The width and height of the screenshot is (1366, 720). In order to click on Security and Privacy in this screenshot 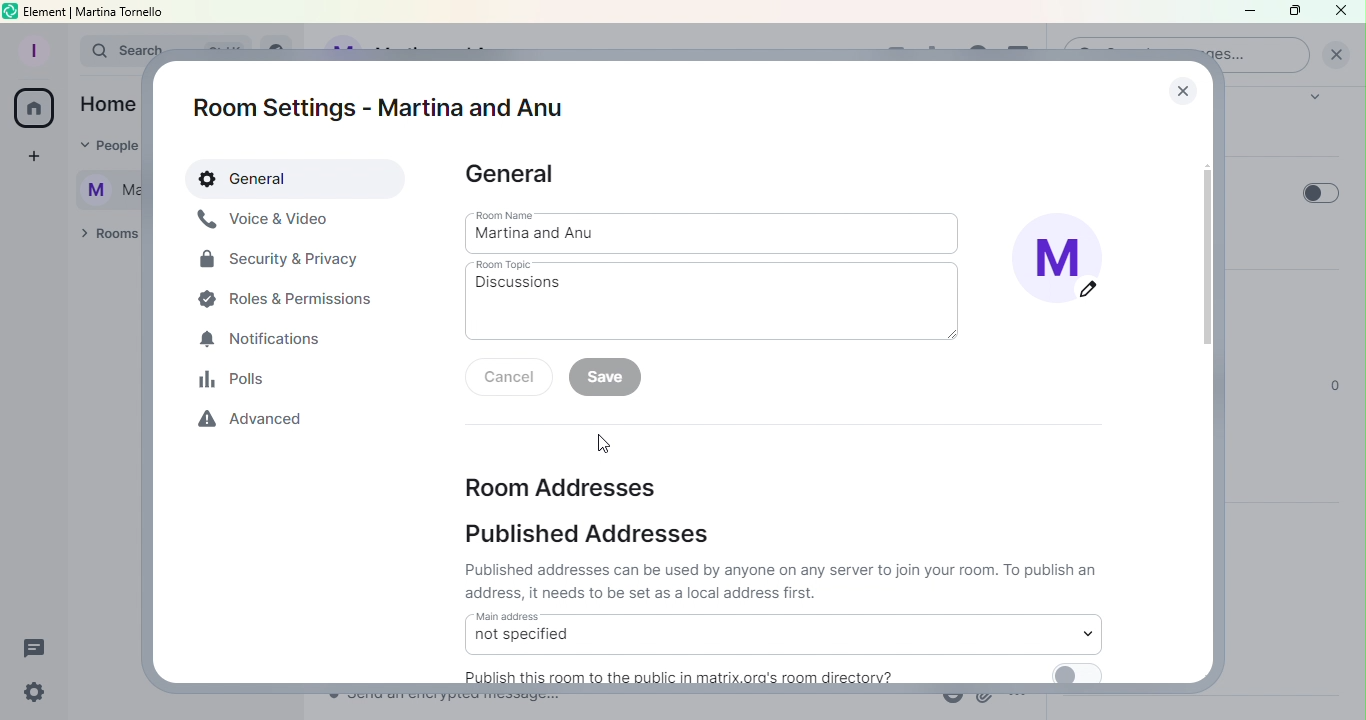, I will do `click(280, 263)`.